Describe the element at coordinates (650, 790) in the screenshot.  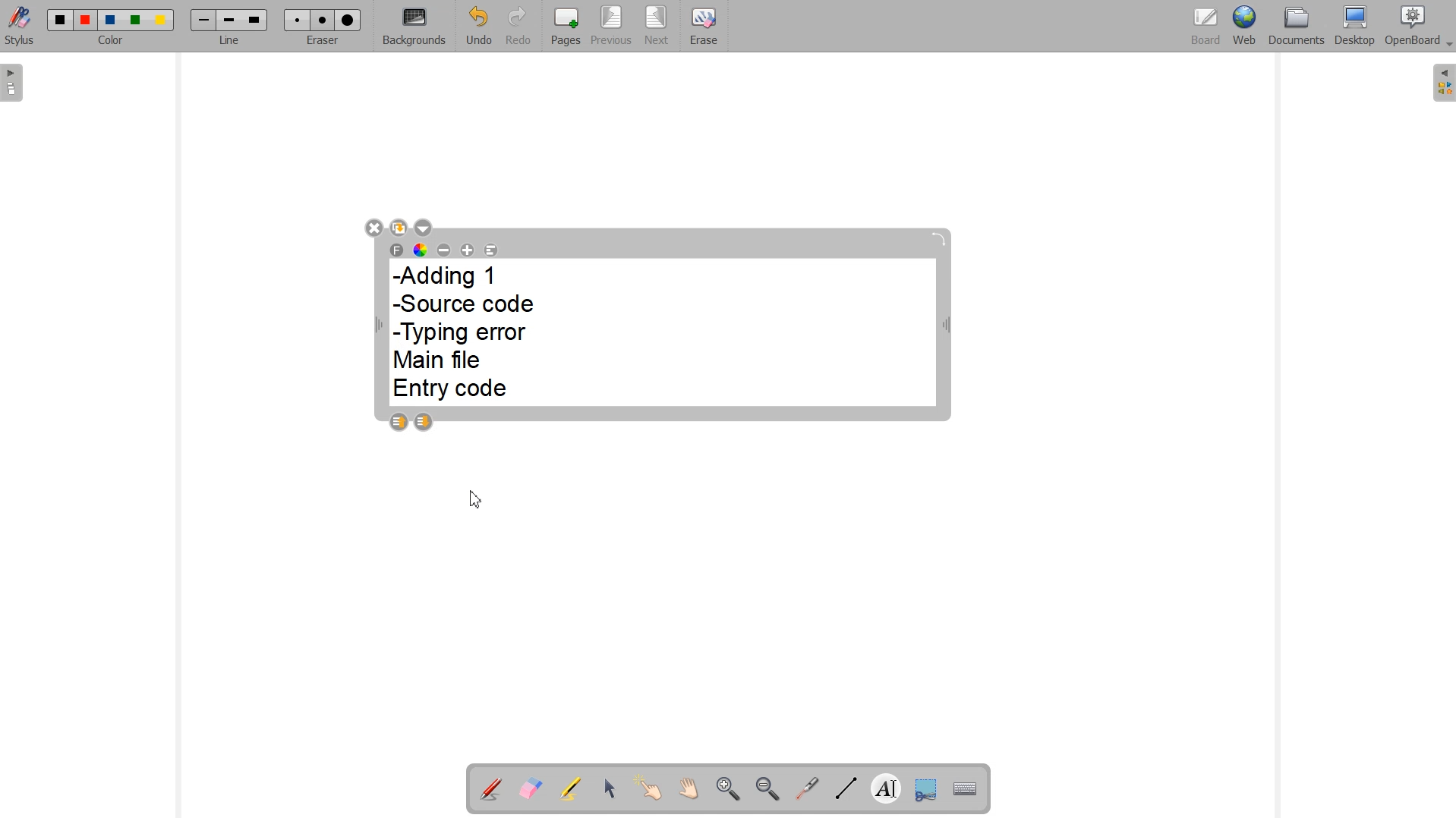
I see `Interact with items` at that location.